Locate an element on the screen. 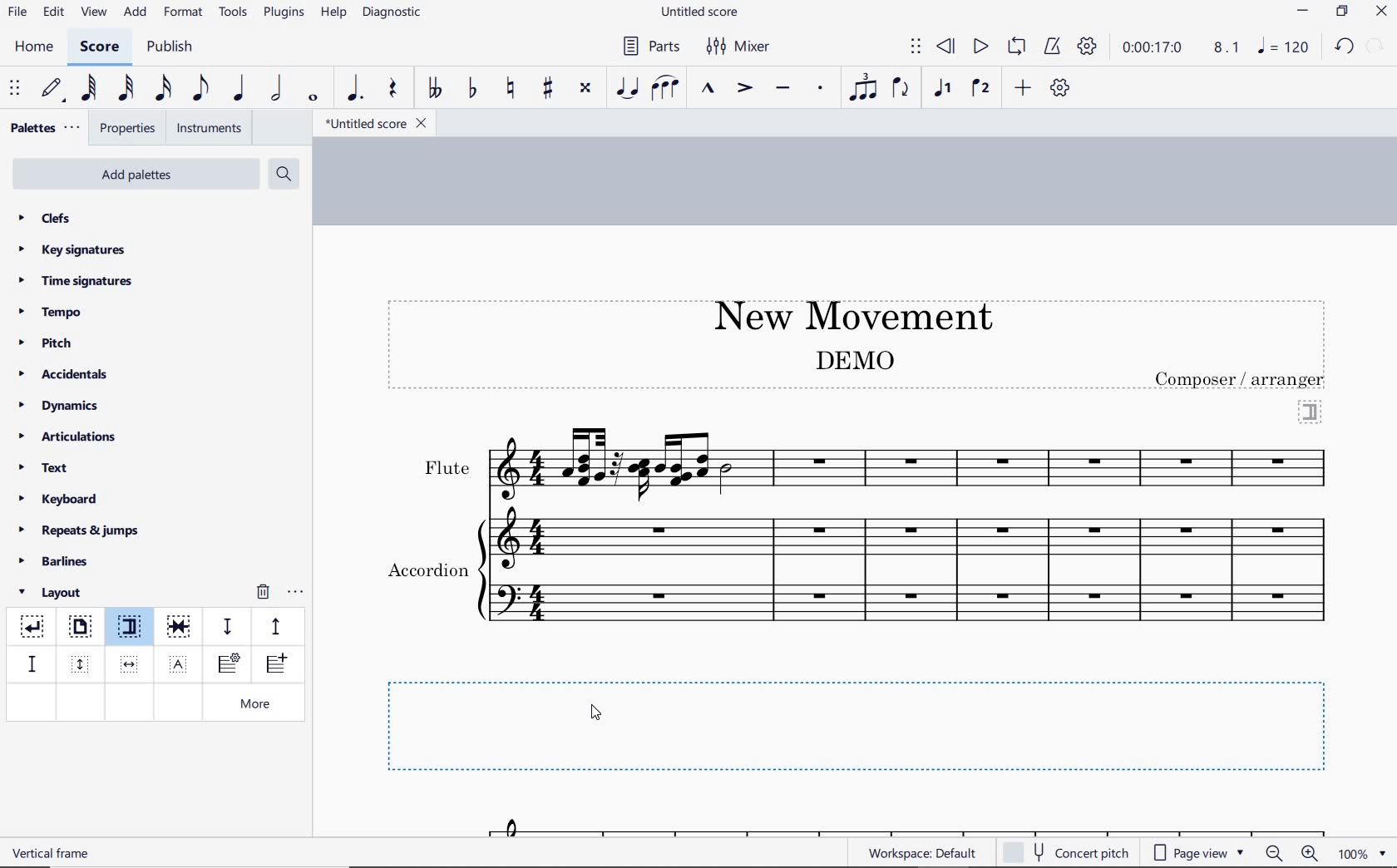  staff spacer sown is located at coordinates (227, 627).